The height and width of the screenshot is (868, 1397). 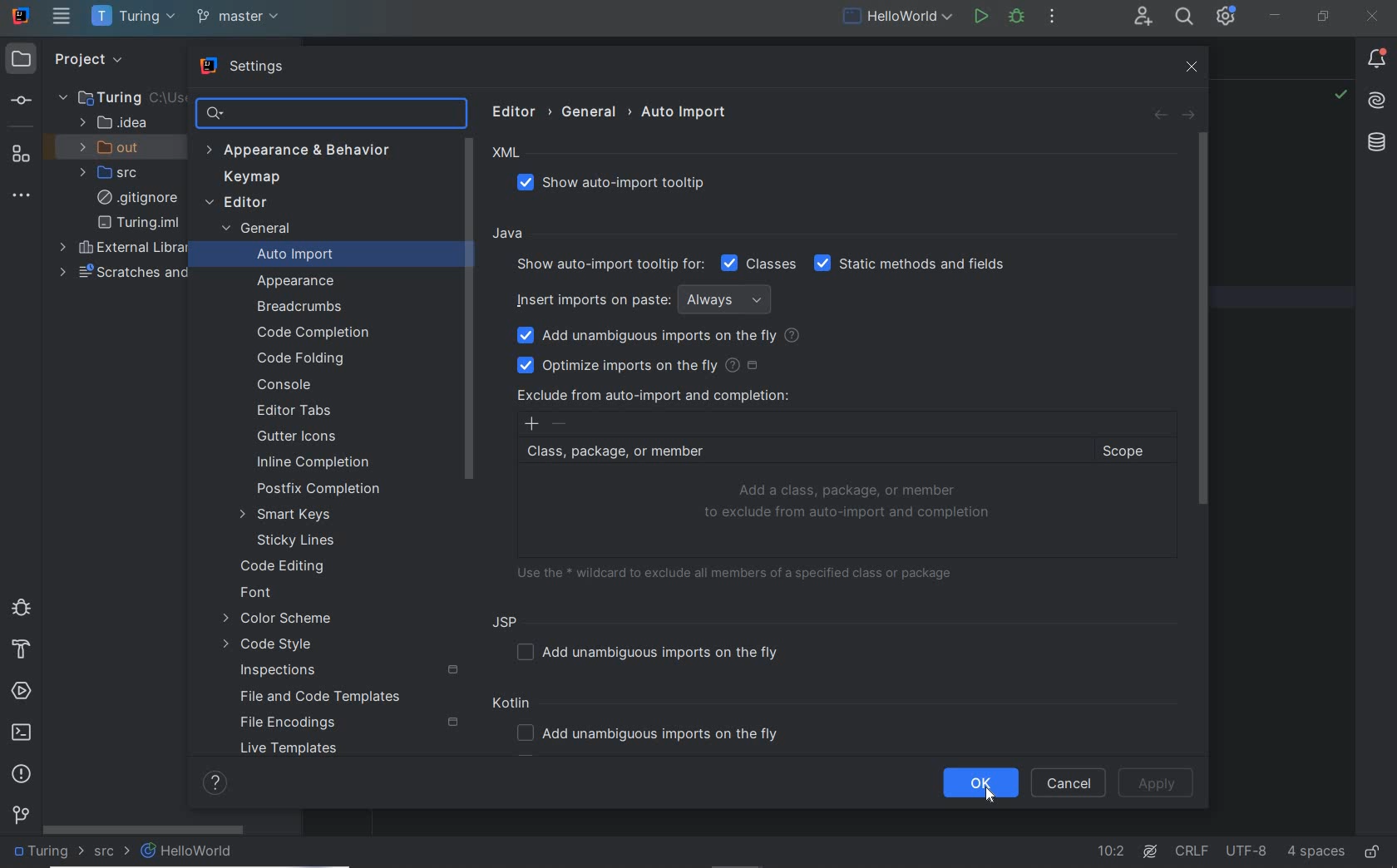 I want to click on GUTTER ICONS, so click(x=299, y=437).